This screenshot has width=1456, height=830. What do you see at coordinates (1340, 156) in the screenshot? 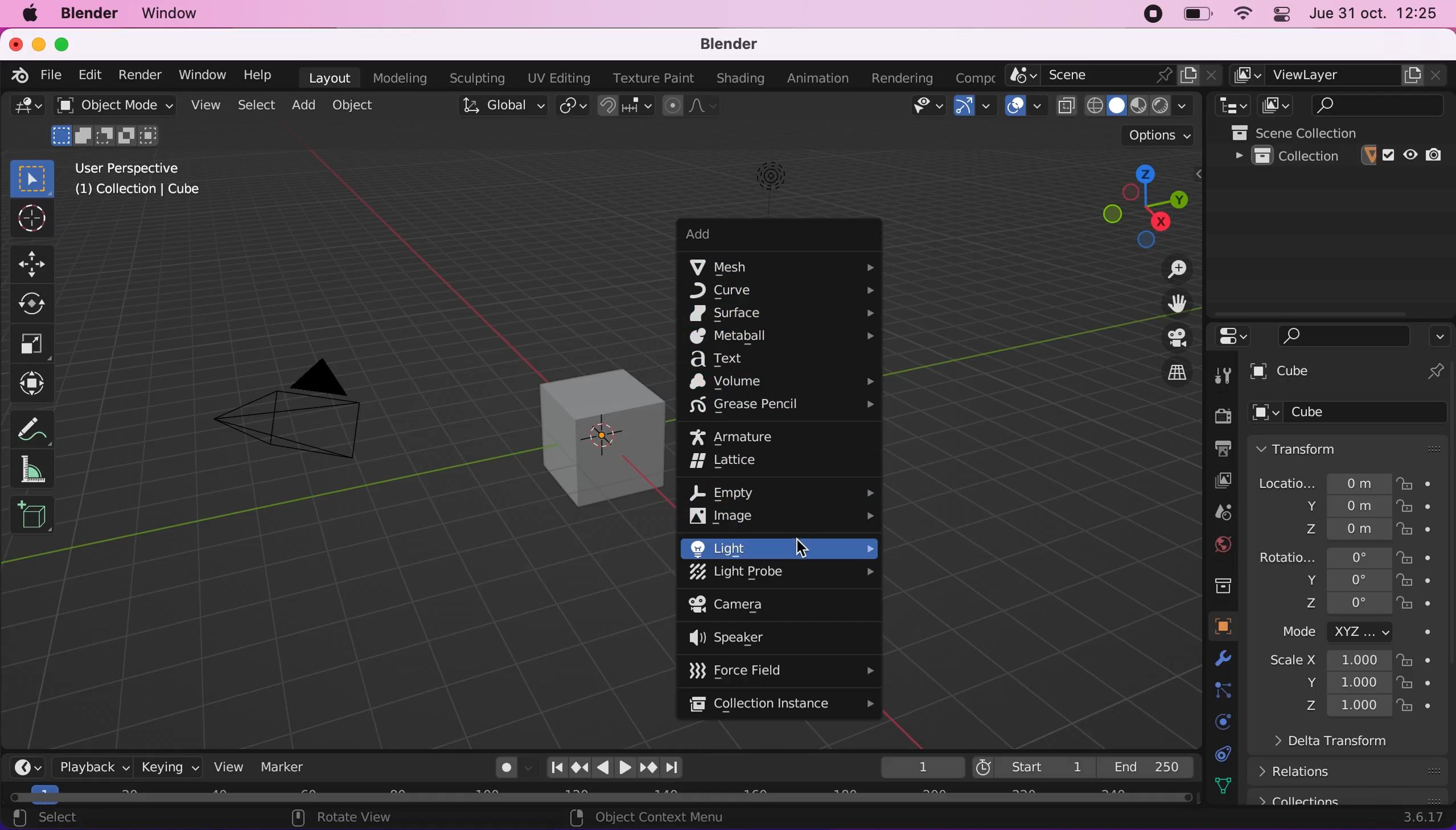
I see `collection` at bounding box center [1340, 156].